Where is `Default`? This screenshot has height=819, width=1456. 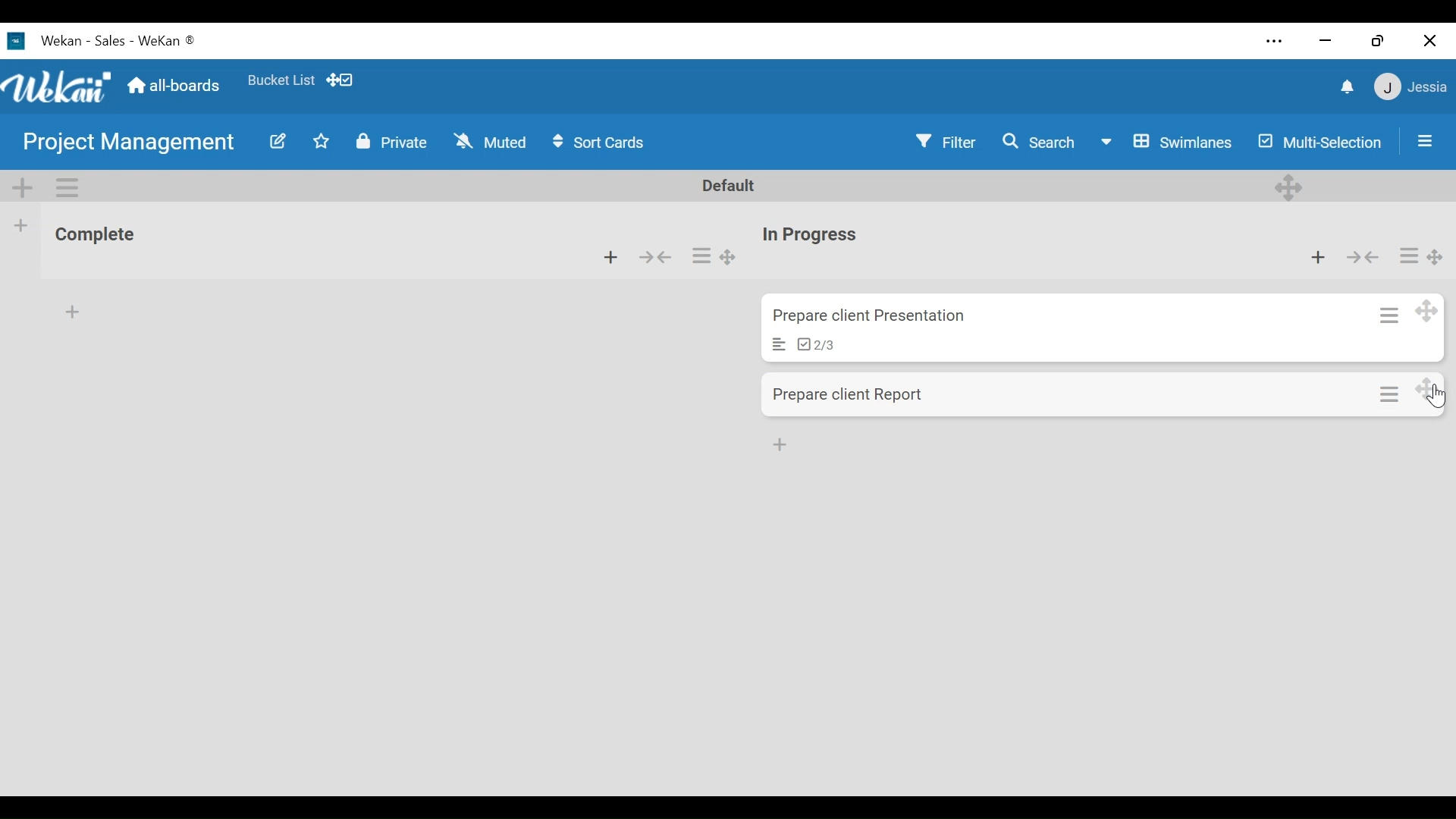
Default is located at coordinates (731, 186).